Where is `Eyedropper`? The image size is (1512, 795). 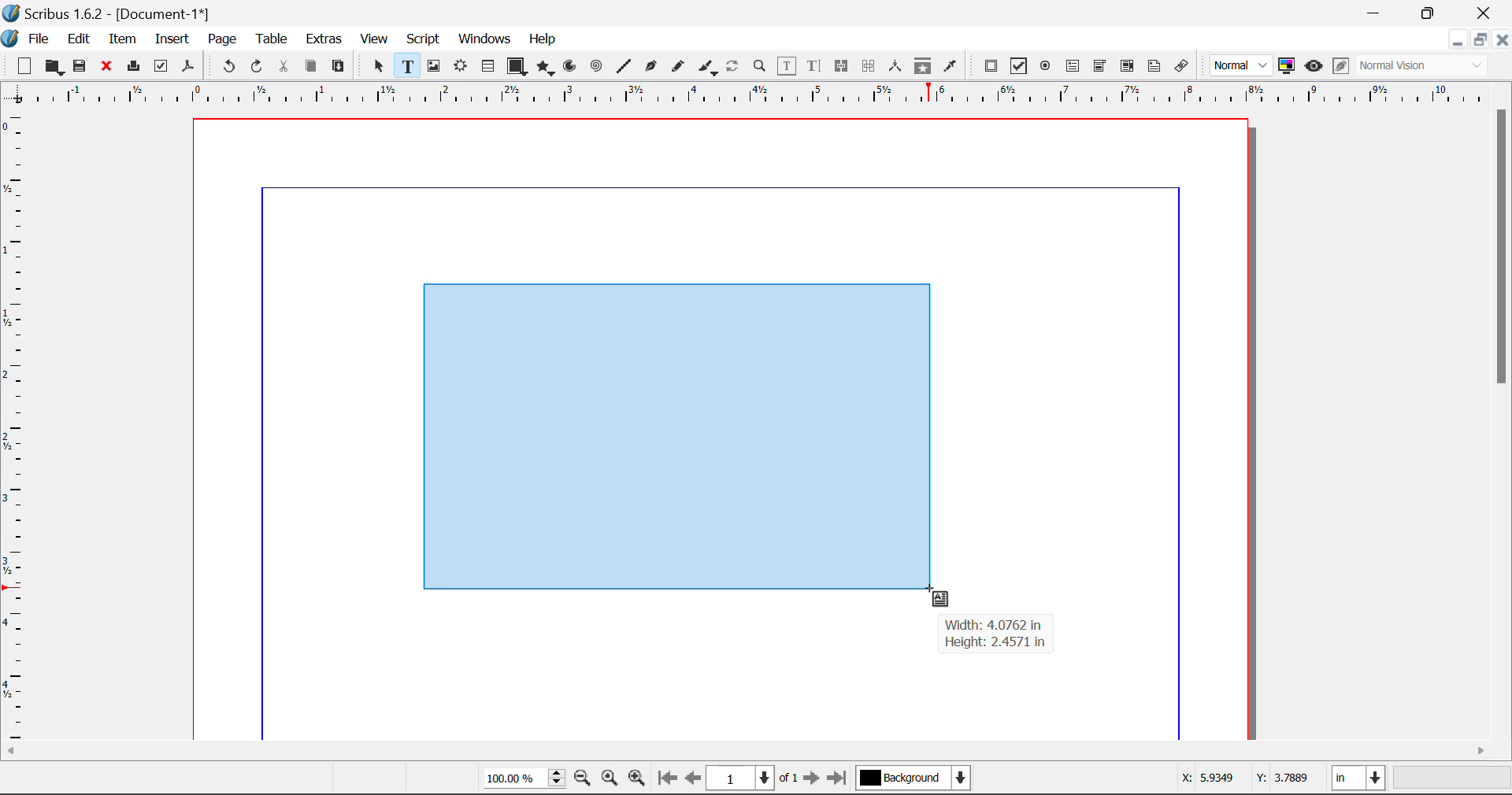
Eyedropper is located at coordinates (951, 65).